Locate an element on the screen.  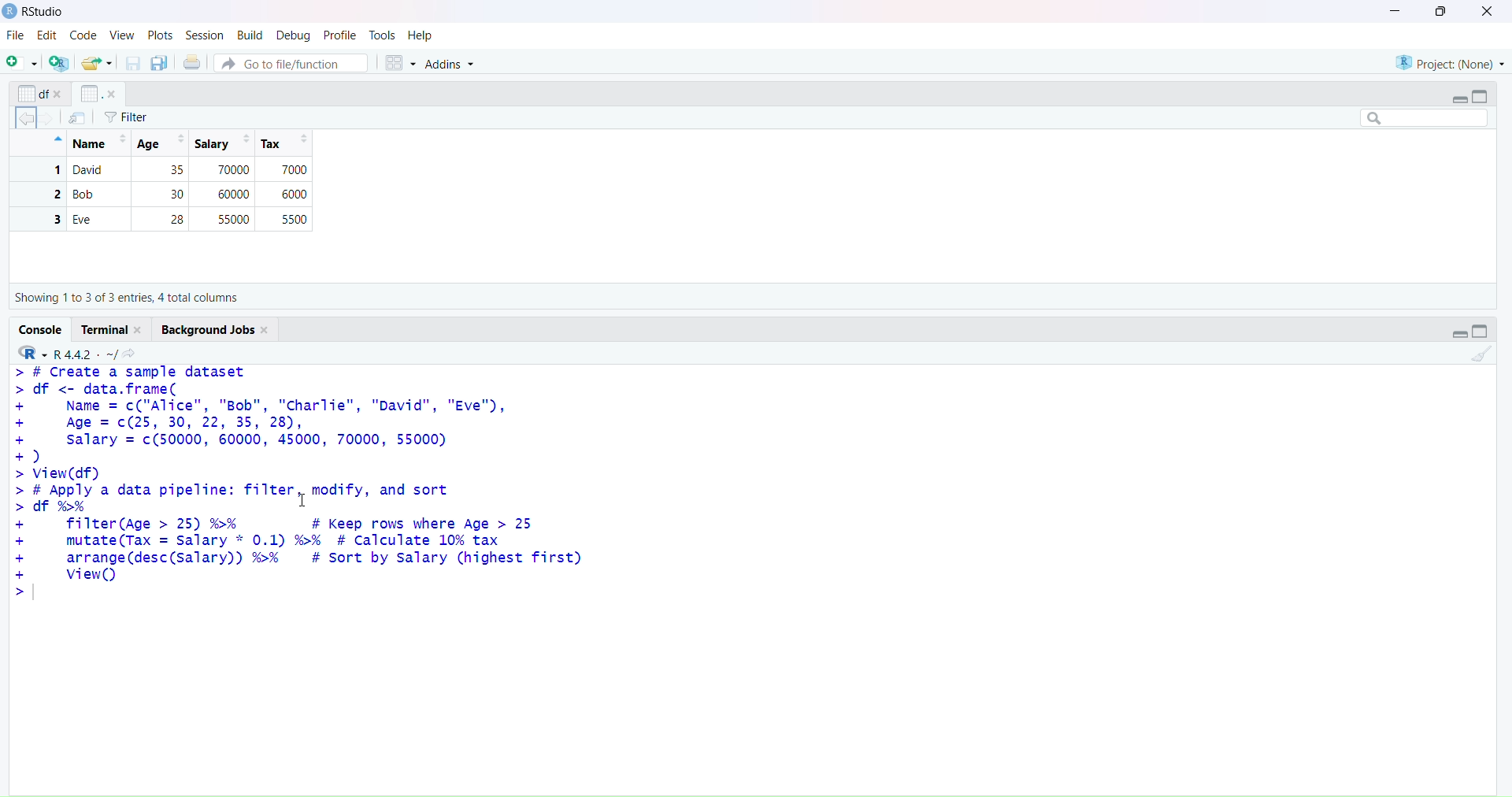
profile is located at coordinates (341, 35).